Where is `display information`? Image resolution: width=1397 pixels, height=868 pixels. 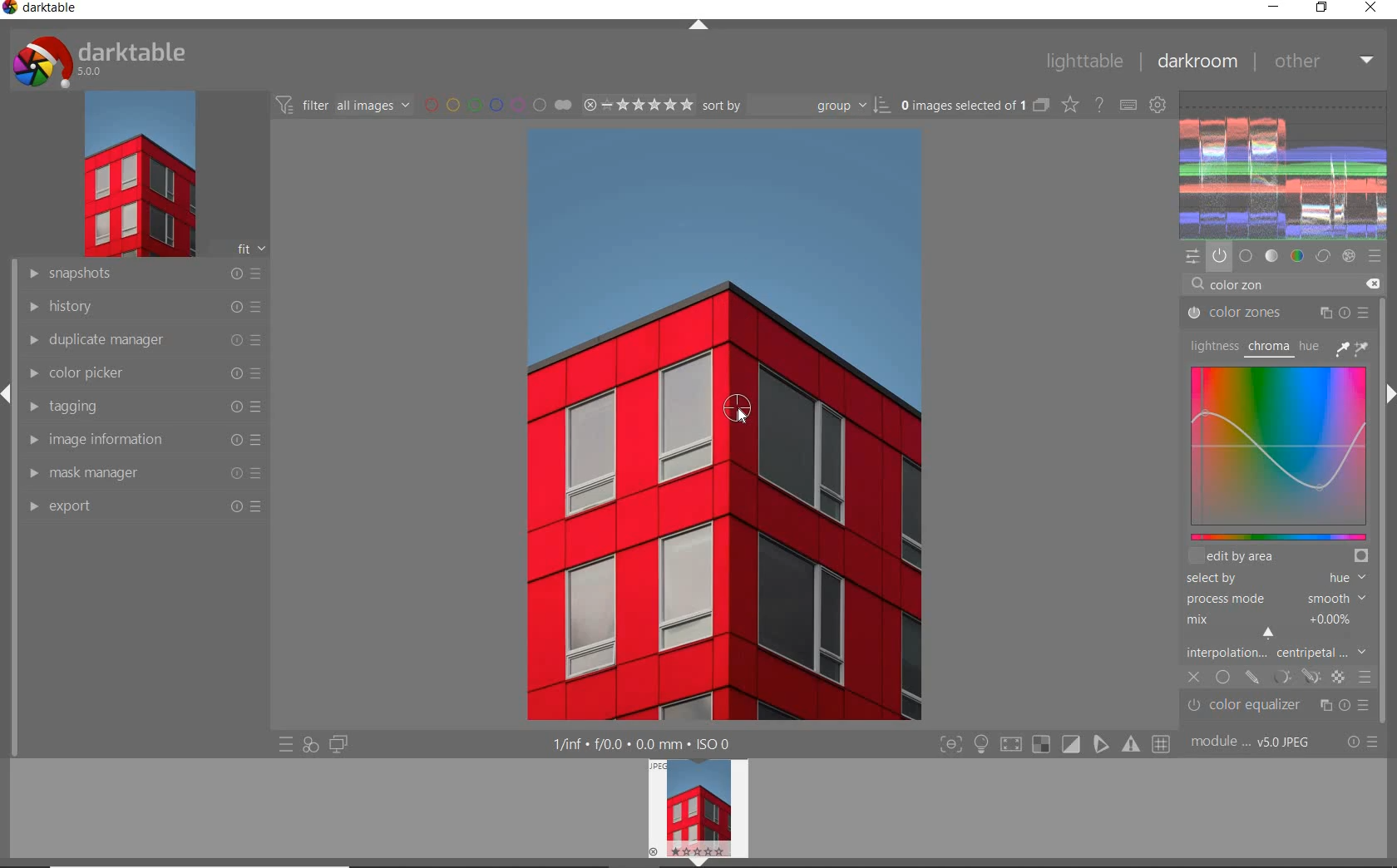
display information is located at coordinates (643, 744).